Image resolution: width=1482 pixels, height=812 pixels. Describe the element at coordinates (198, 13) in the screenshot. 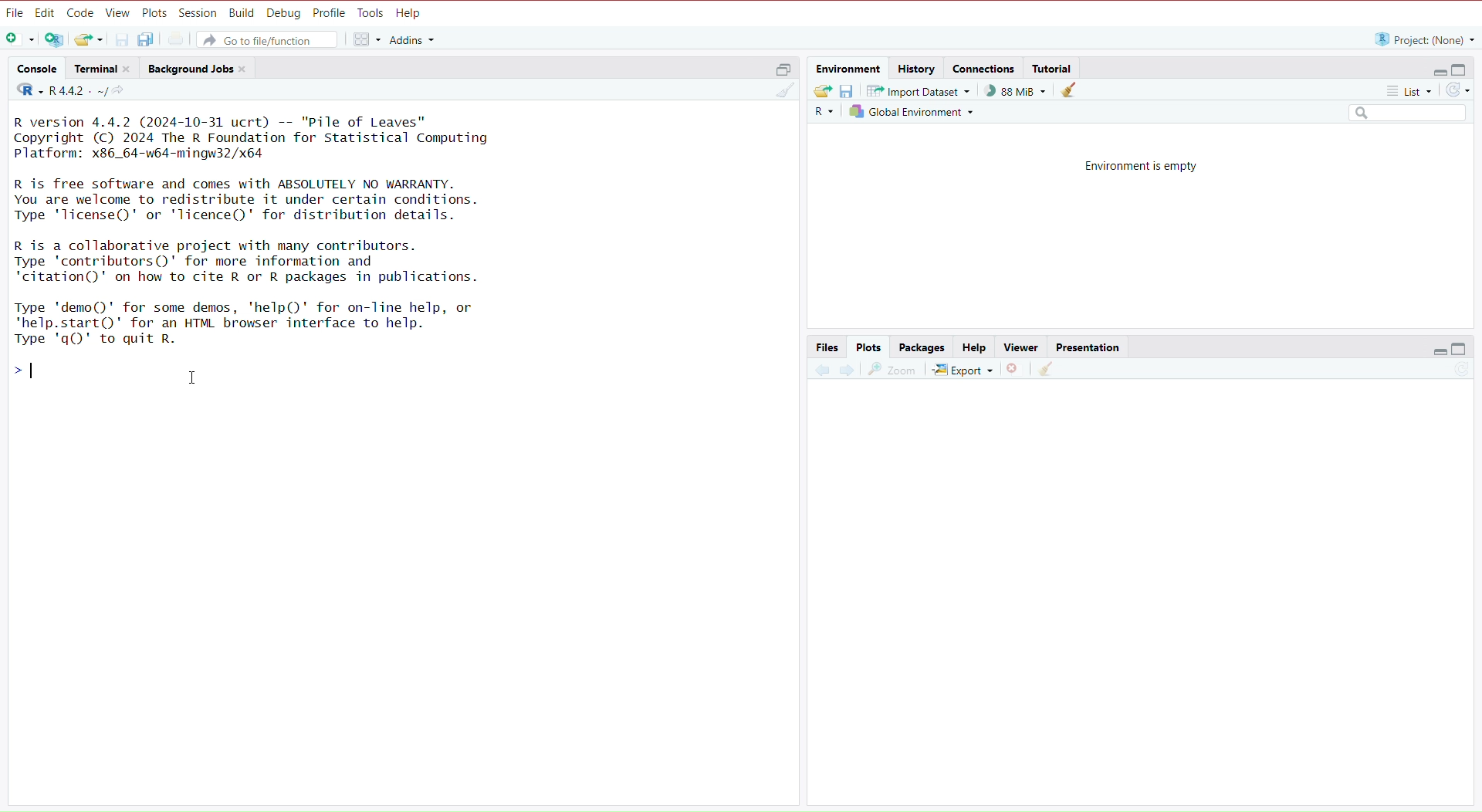

I see `Session` at that location.